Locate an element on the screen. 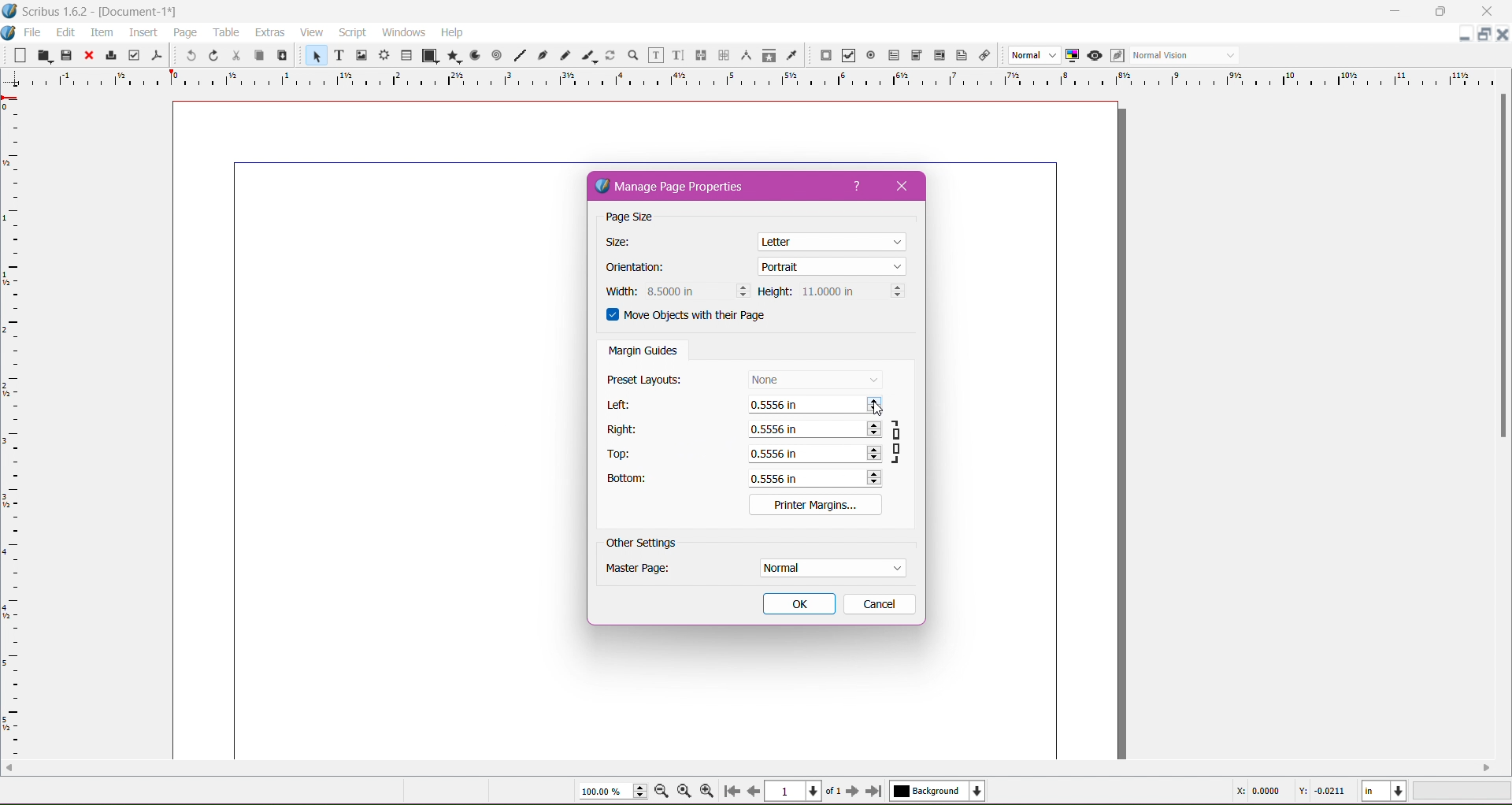 The width and height of the screenshot is (1512, 805). Top is located at coordinates (624, 454).